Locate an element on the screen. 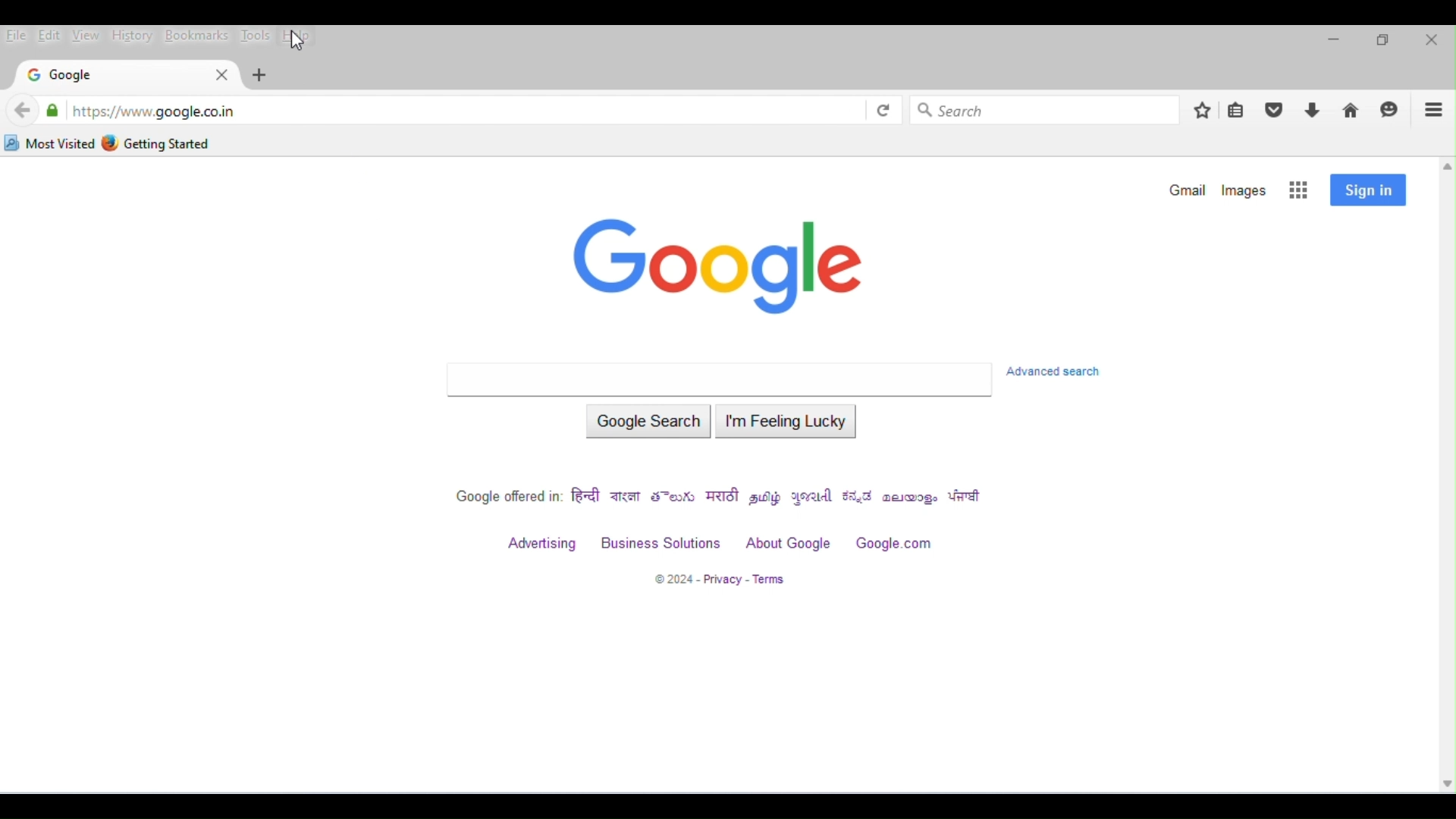  close  is located at coordinates (218, 75).